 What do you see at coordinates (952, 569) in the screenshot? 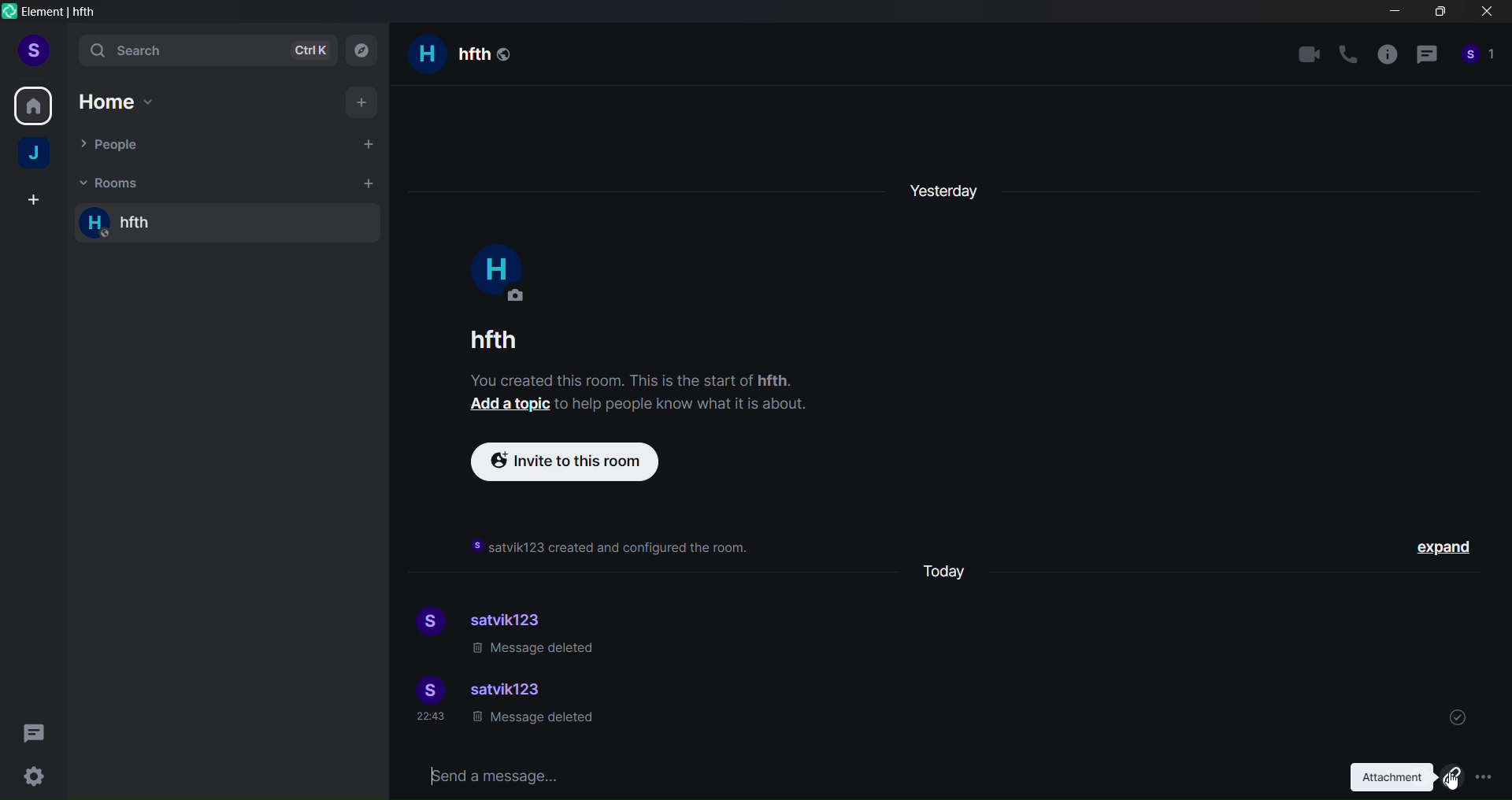
I see `today` at bounding box center [952, 569].